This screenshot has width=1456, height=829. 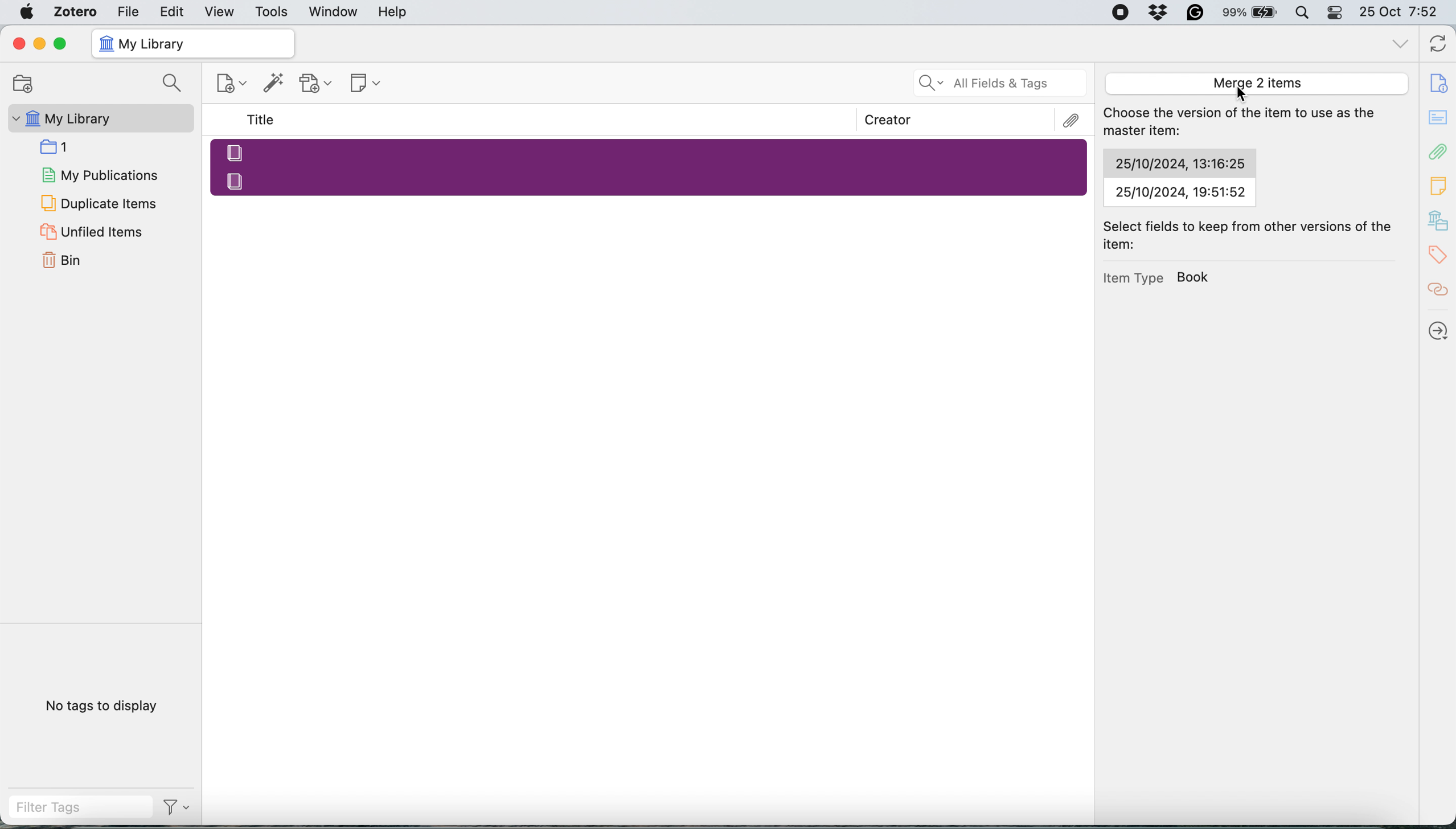 I want to click on Grammarly, so click(x=1196, y=12).